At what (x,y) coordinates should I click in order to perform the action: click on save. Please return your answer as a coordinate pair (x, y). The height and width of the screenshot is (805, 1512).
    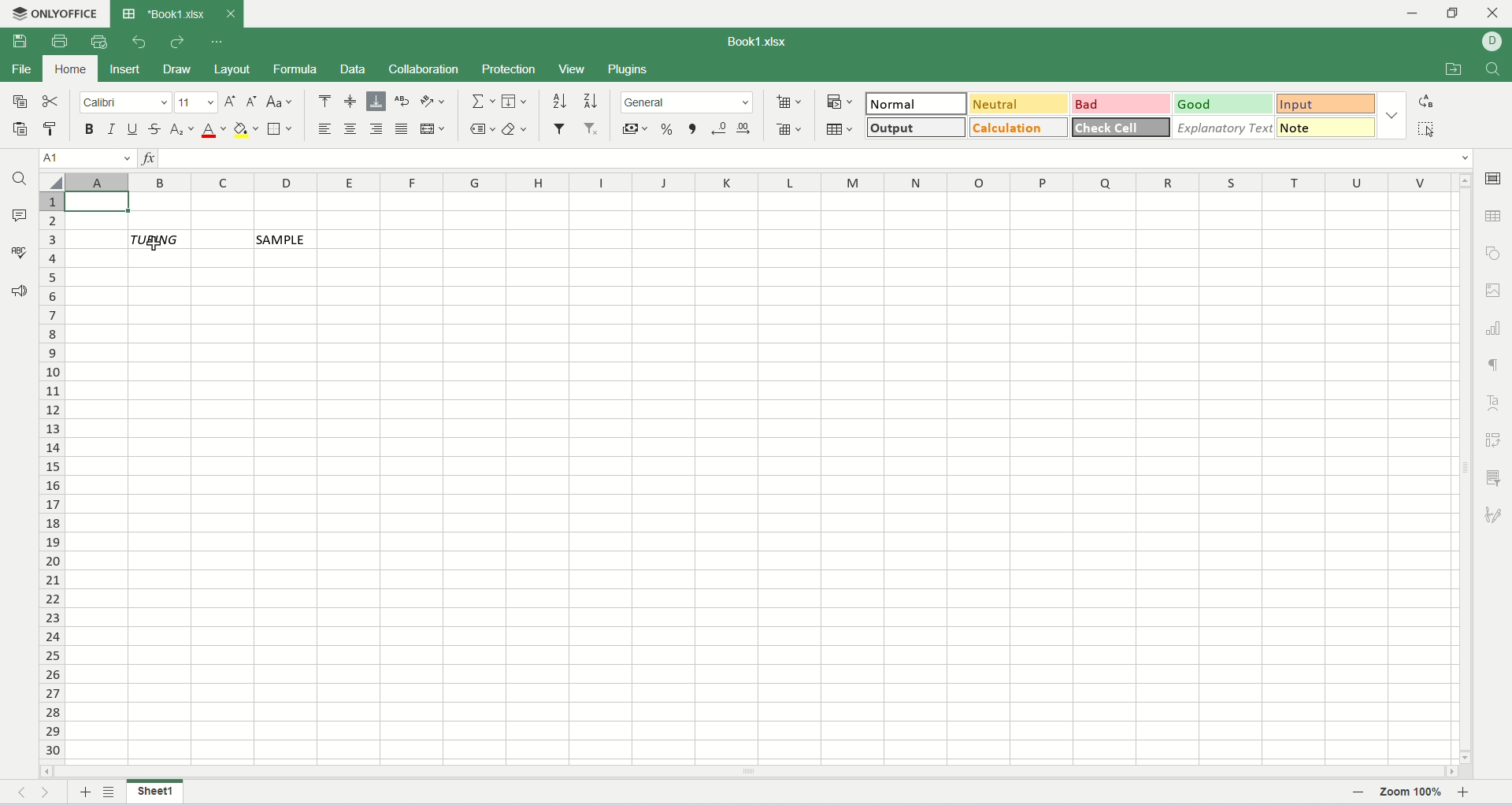
    Looking at the image, I should click on (18, 42).